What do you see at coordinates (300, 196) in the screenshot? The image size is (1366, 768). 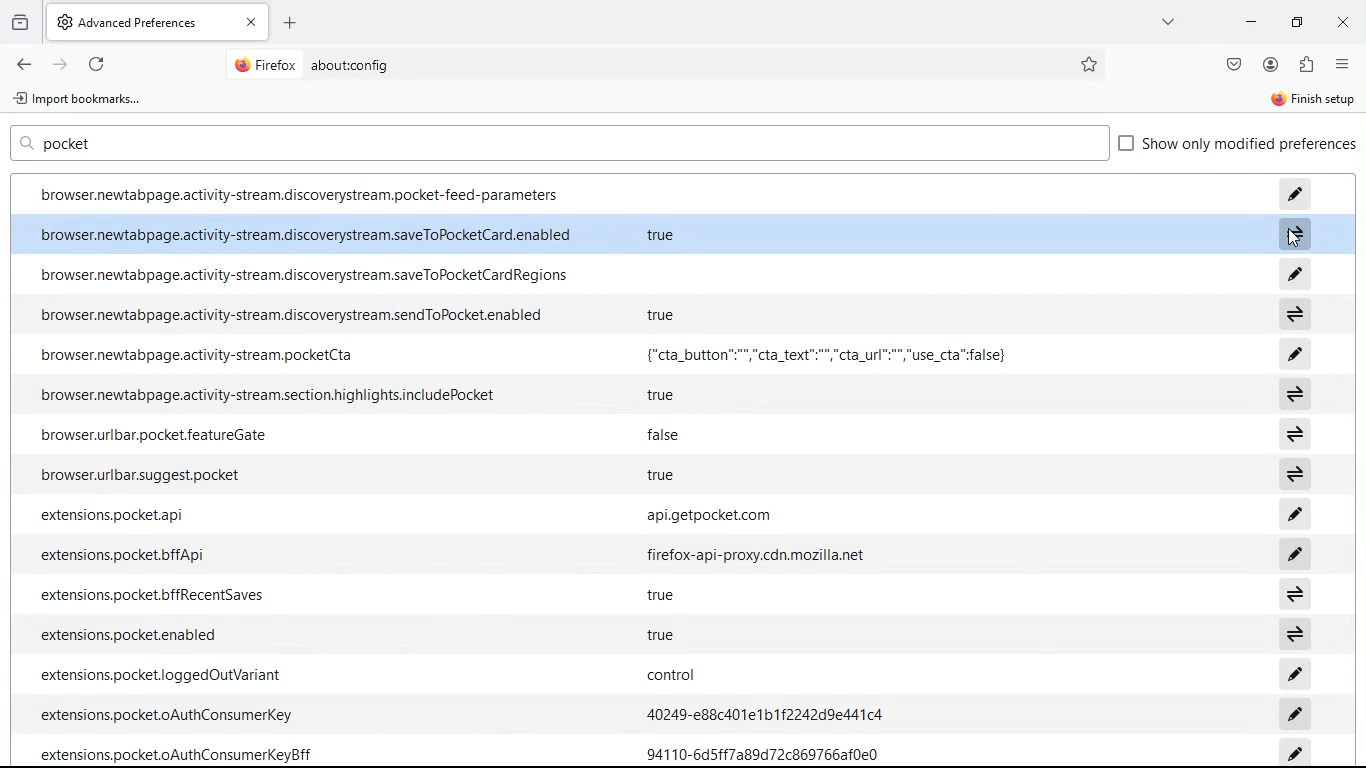 I see `browser.newtabpage.activity-stream.discoverystream.pocket-feed-parameters` at bounding box center [300, 196].